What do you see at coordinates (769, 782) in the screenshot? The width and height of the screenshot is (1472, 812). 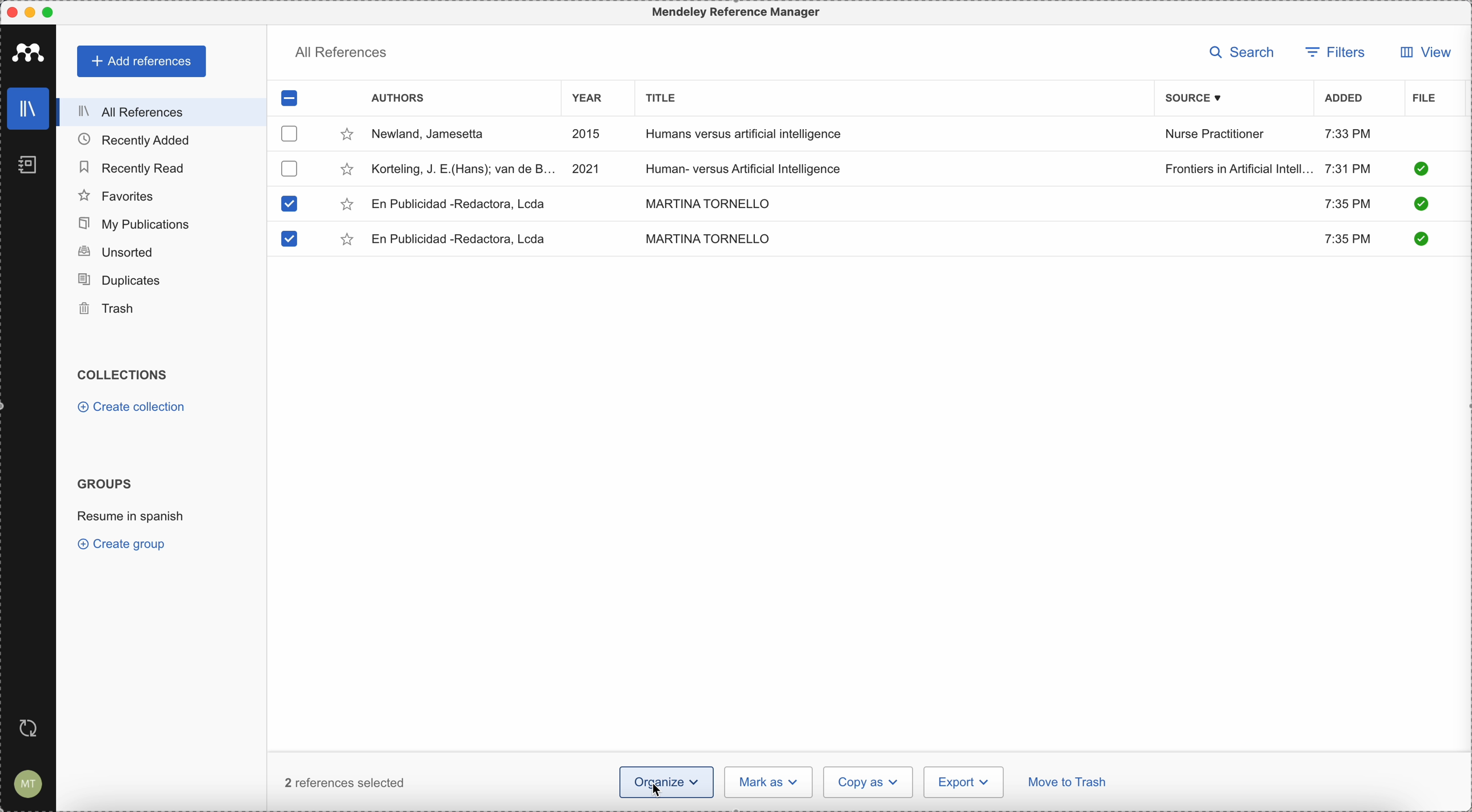 I see `mark as` at bounding box center [769, 782].